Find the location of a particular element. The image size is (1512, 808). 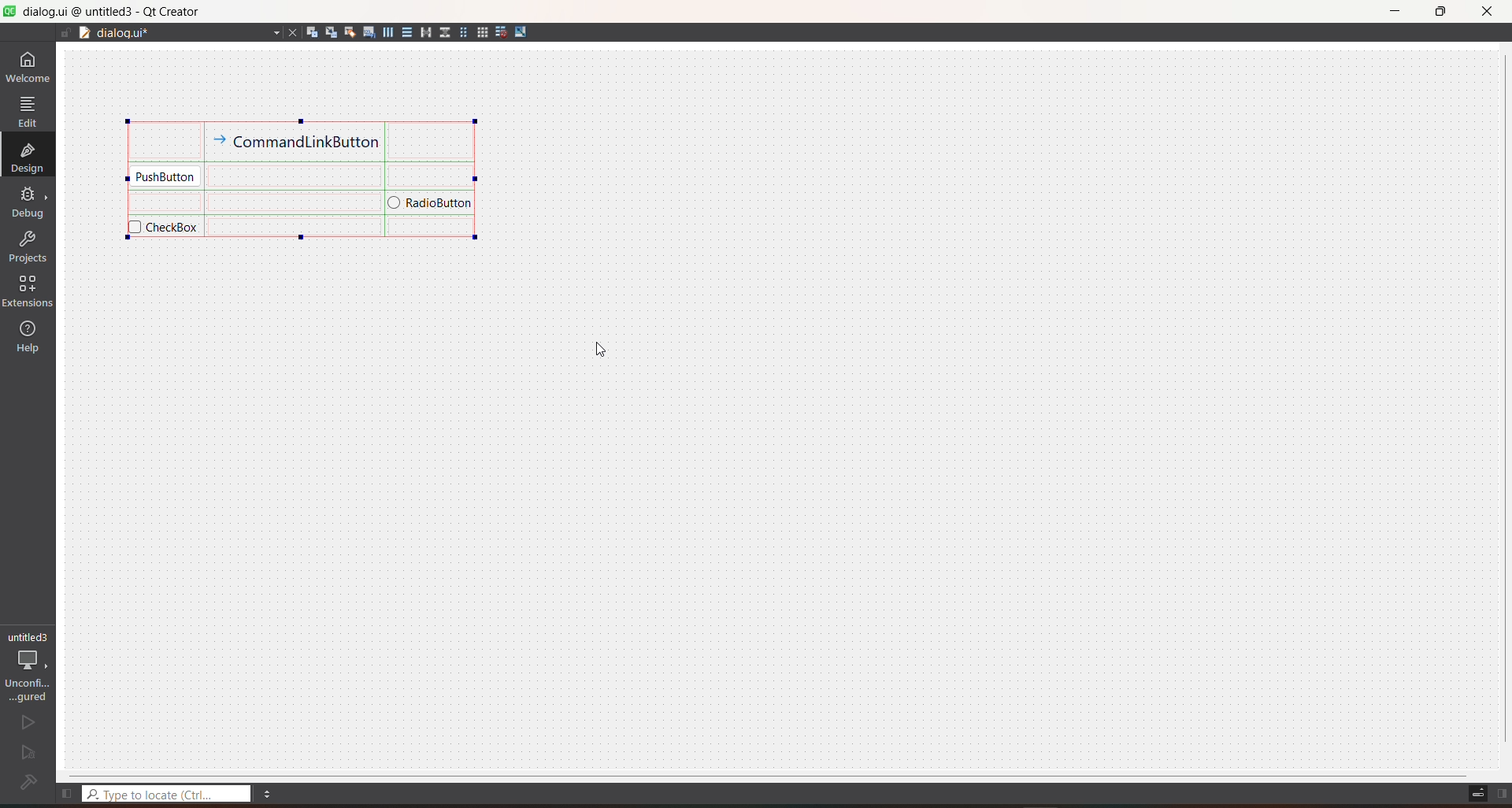

project not configured is located at coordinates (28, 783).